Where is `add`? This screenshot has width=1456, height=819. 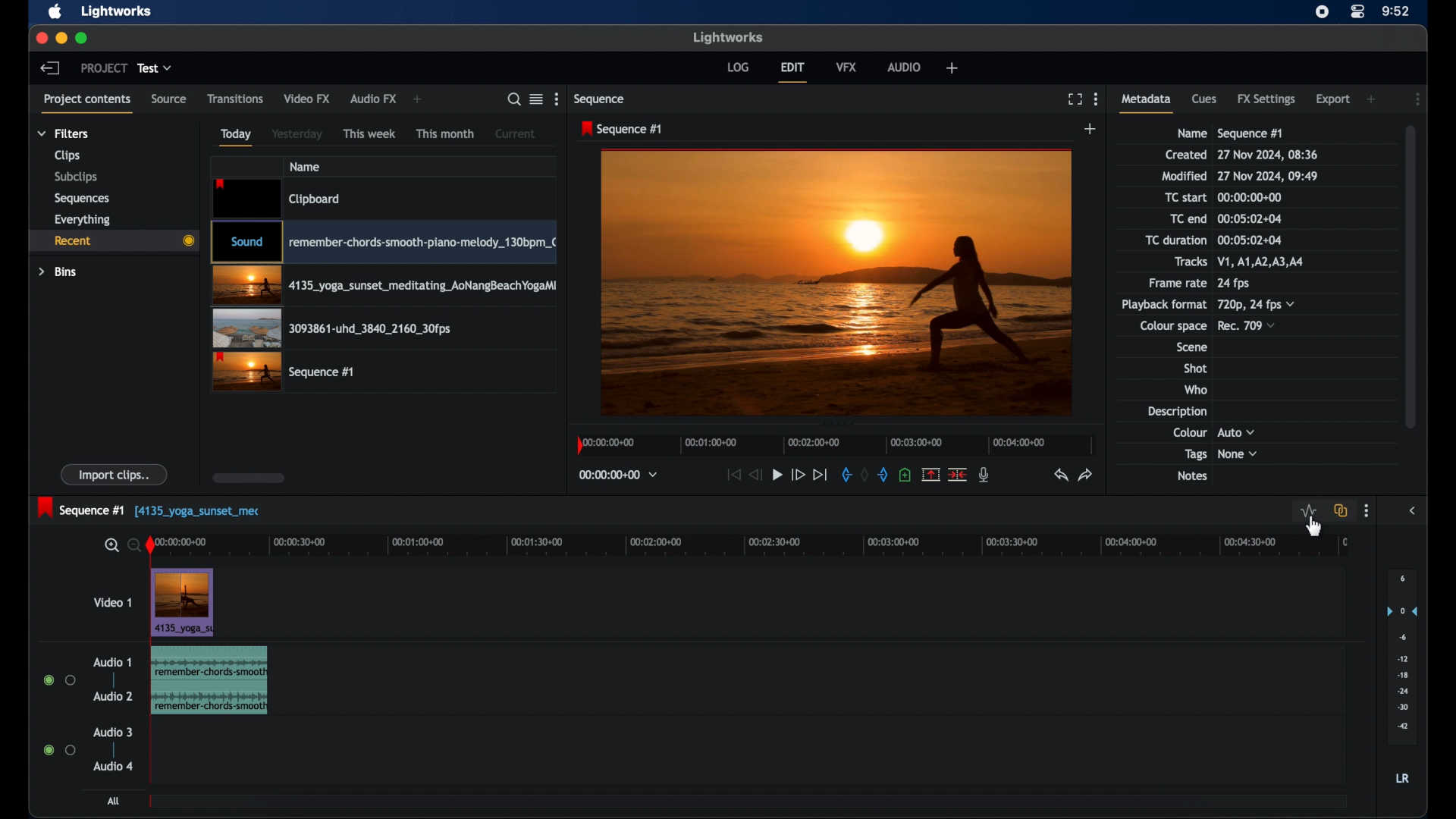
add is located at coordinates (1373, 99).